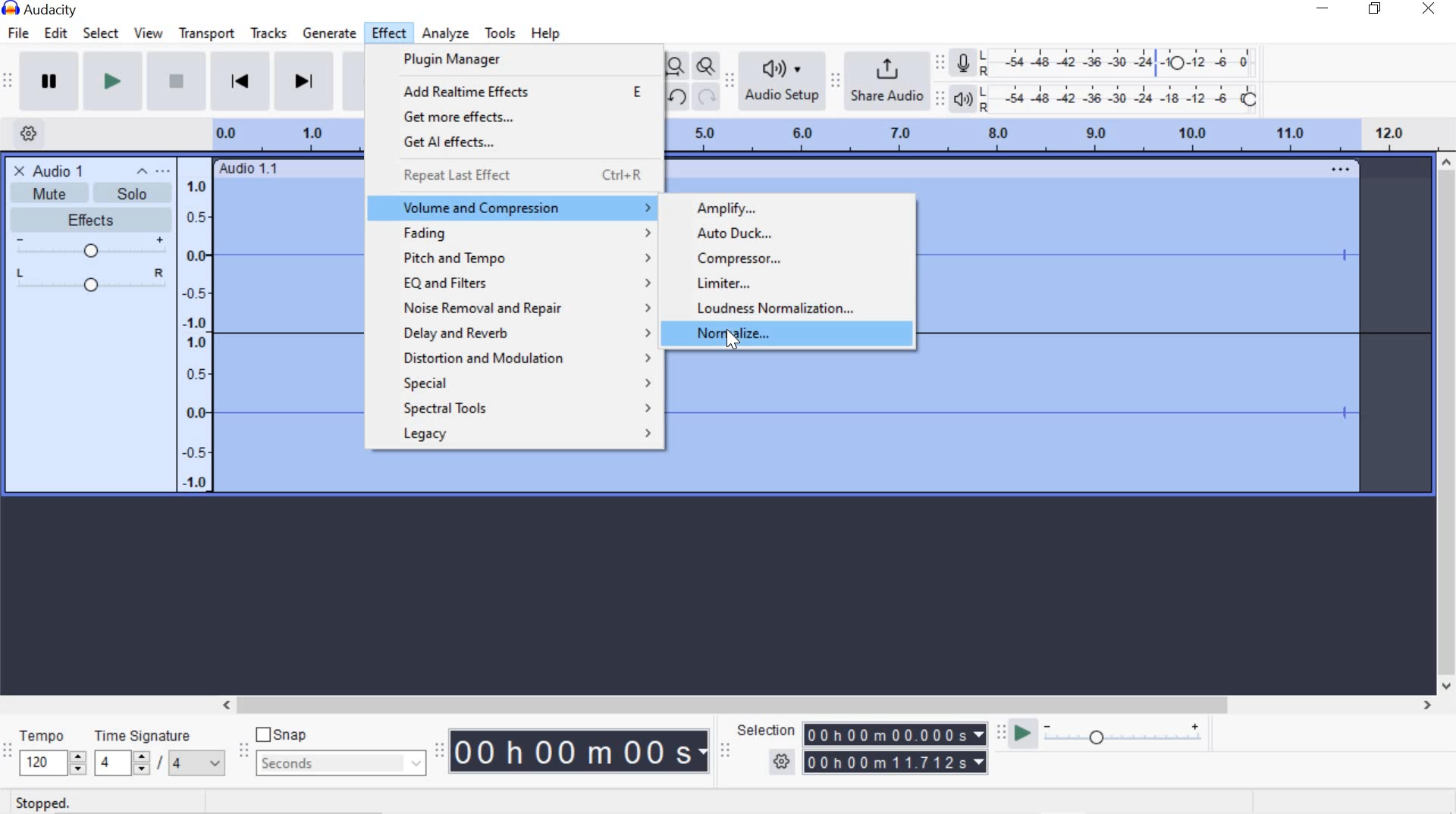 The image size is (1456, 814). I want to click on Stop, so click(174, 83).